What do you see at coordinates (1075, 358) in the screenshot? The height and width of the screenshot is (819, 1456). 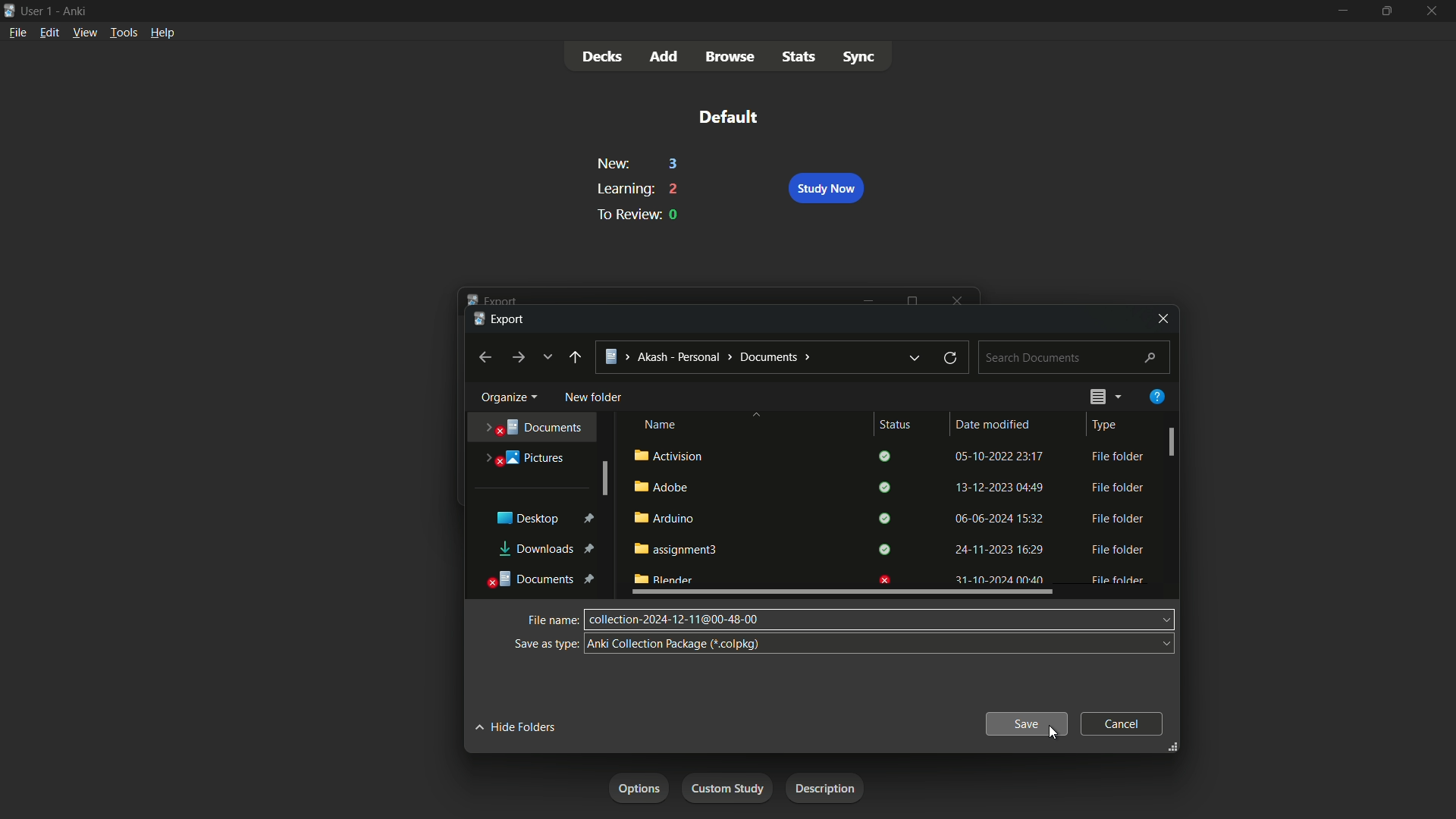 I see `search documents` at bounding box center [1075, 358].